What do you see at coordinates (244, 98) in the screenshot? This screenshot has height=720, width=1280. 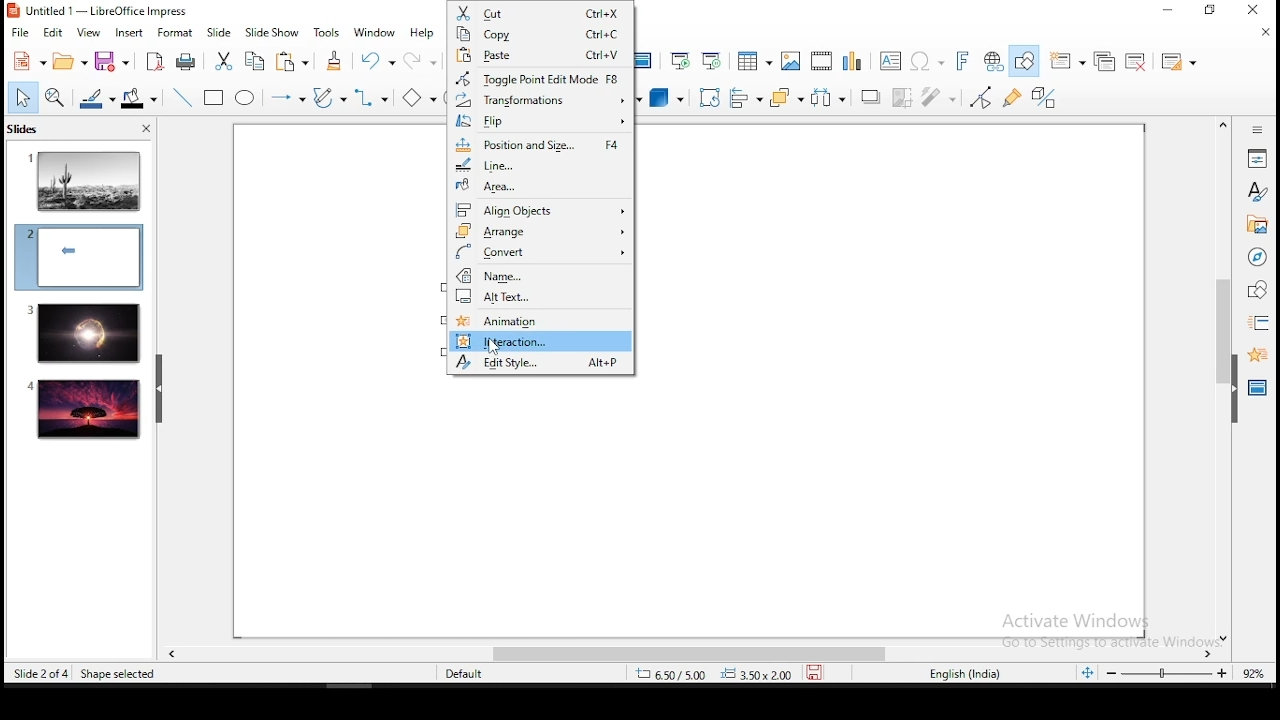 I see `ellipse` at bounding box center [244, 98].